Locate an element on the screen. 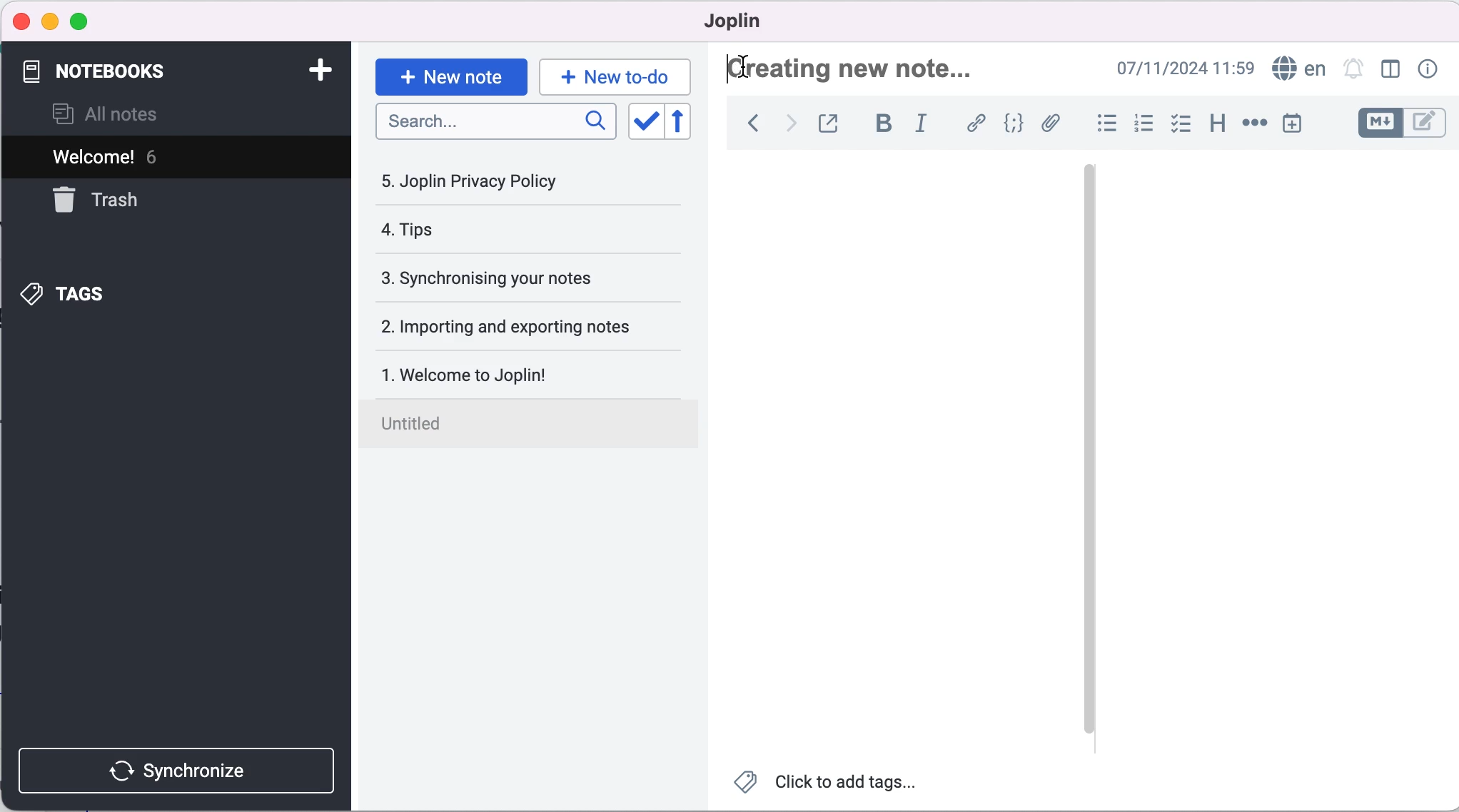  back is located at coordinates (749, 126).